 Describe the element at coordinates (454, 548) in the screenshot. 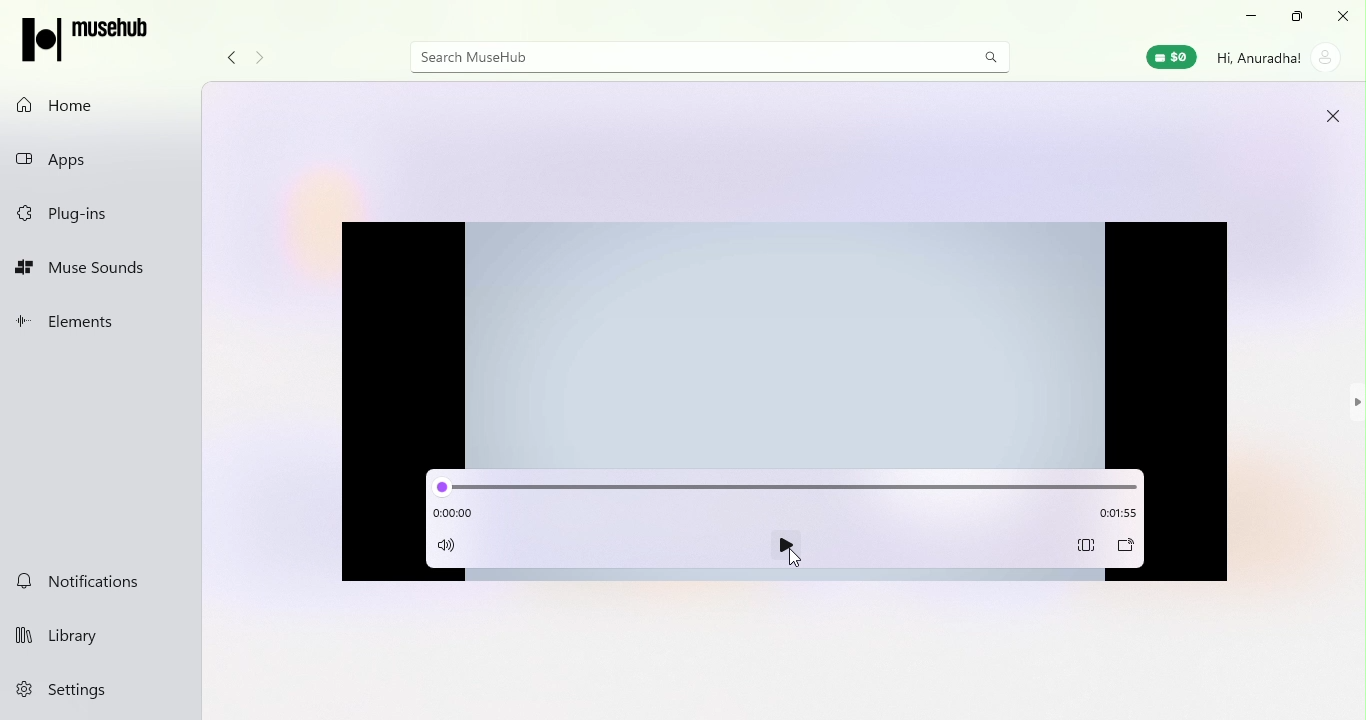

I see `Mute` at that location.